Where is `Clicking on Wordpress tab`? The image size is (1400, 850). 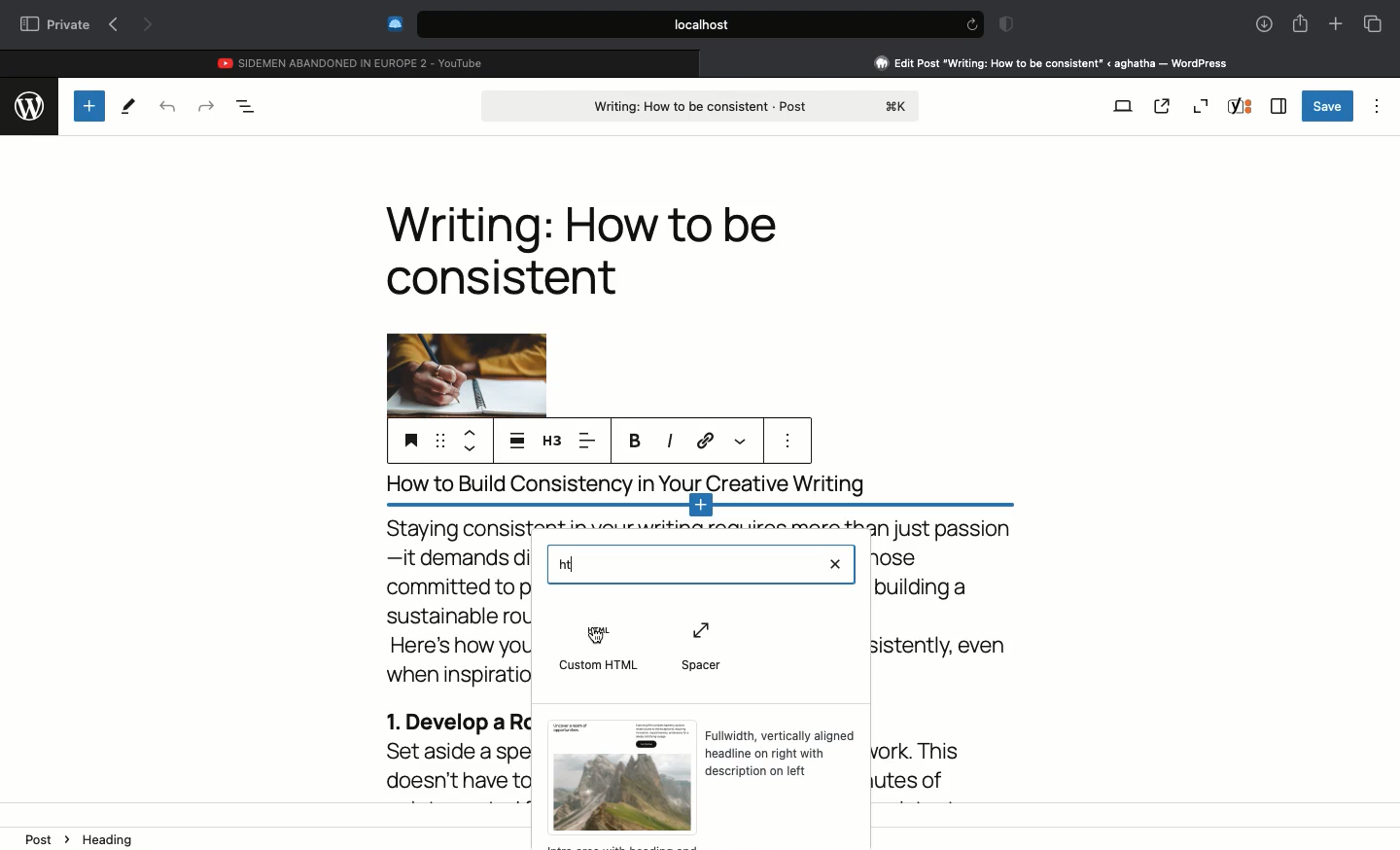
Clicking on Wordpress tab is located at coordinates (1052, 62).